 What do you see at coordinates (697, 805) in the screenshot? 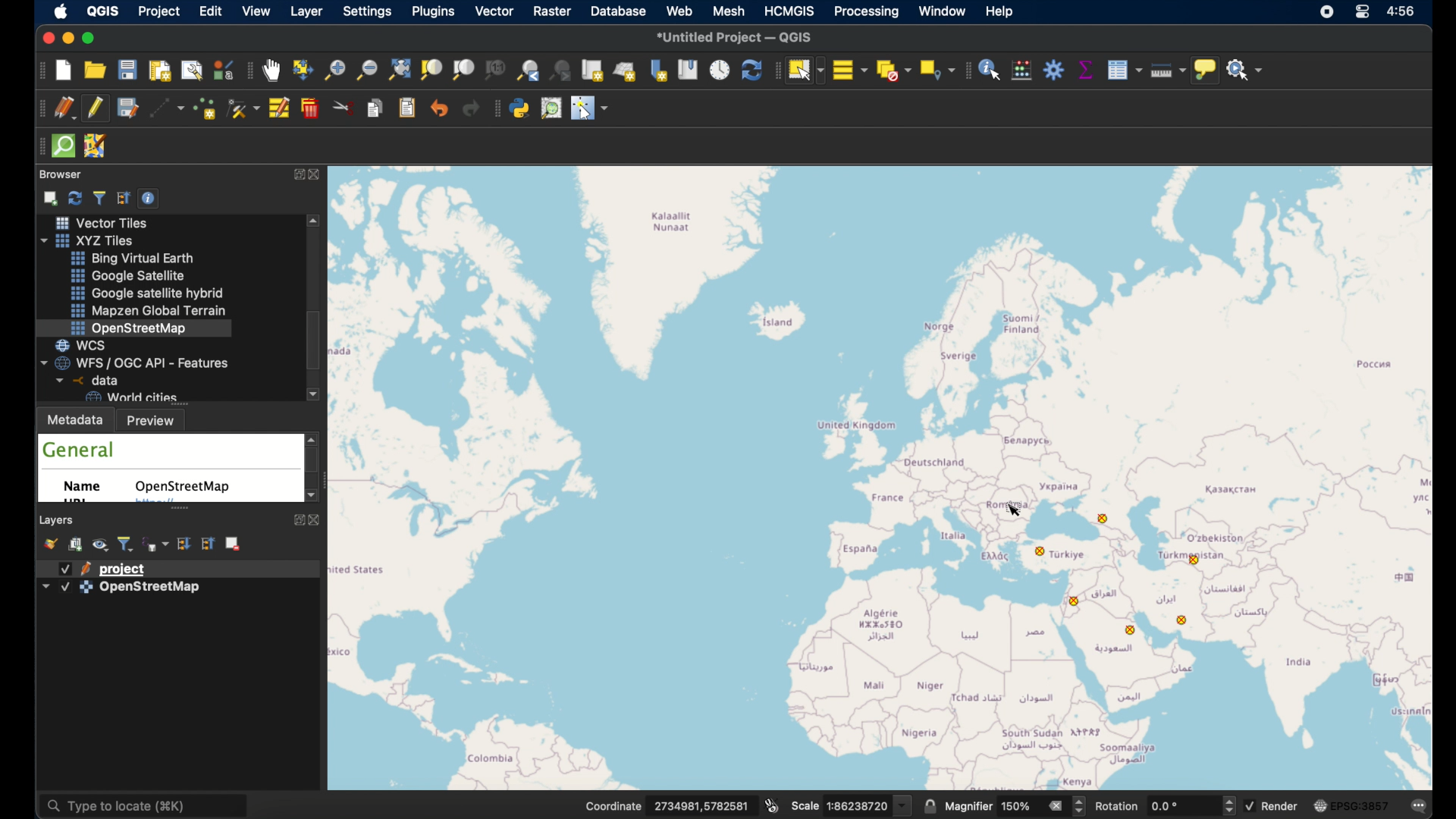
I see `coordinate` at bounding box center [697, 805].